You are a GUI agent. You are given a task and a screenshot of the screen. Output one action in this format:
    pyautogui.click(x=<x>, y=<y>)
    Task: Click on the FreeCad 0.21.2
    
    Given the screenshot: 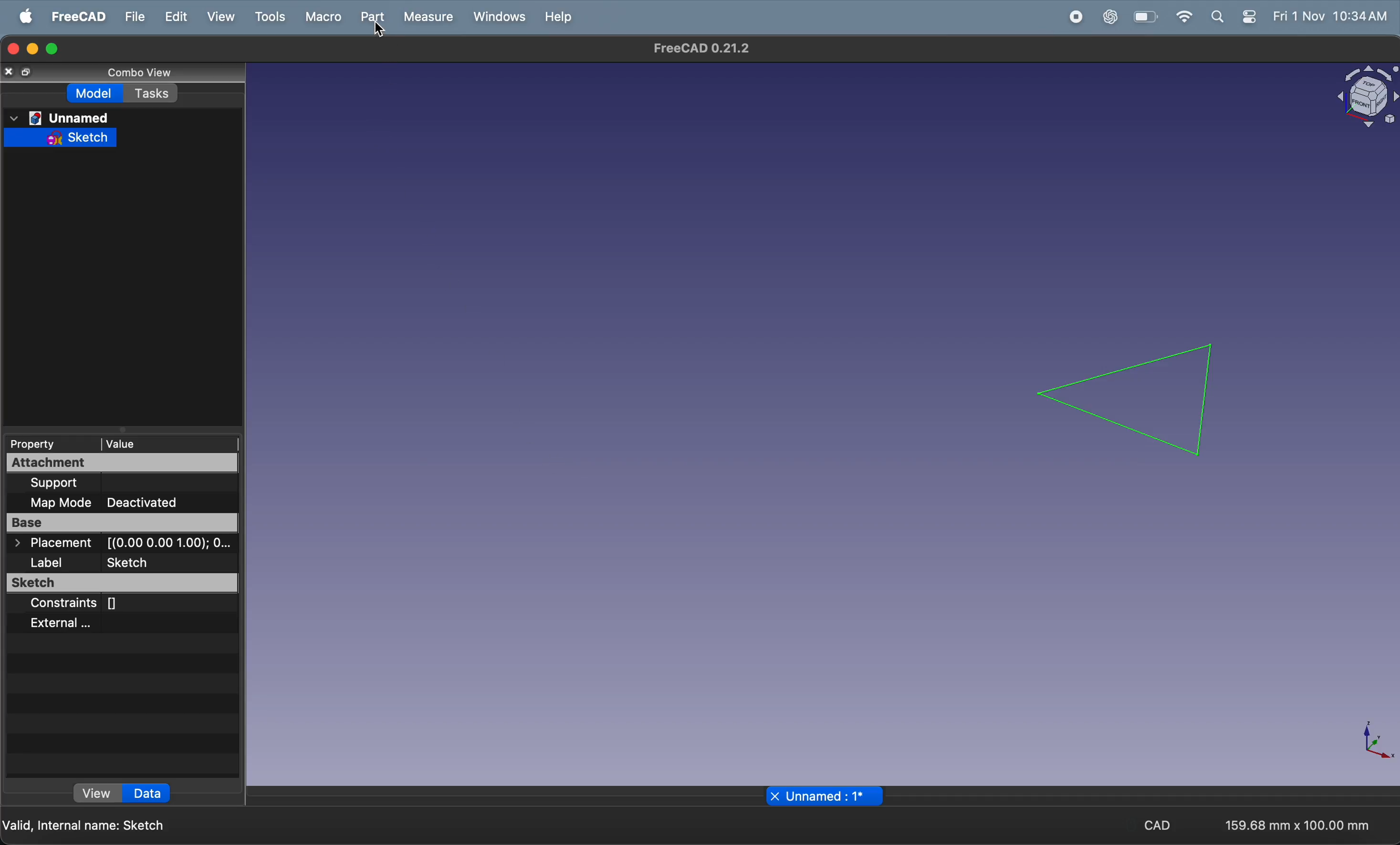 What is the action you would take?
    pyautogui.click(x=704, y=49)
    